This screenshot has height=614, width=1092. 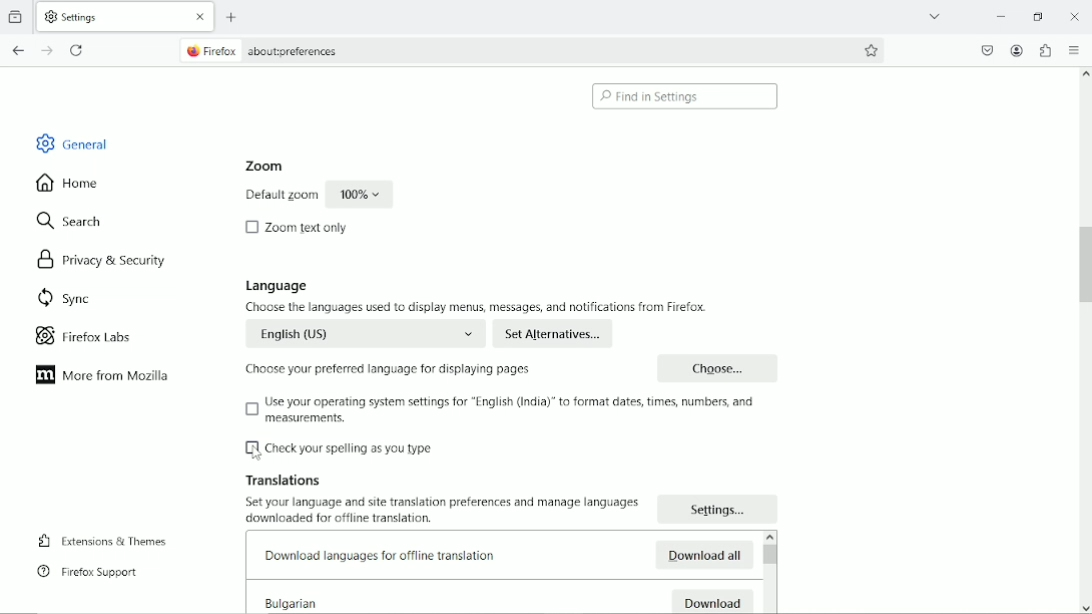 I want to click on Go back, so click(x=18, y=49).